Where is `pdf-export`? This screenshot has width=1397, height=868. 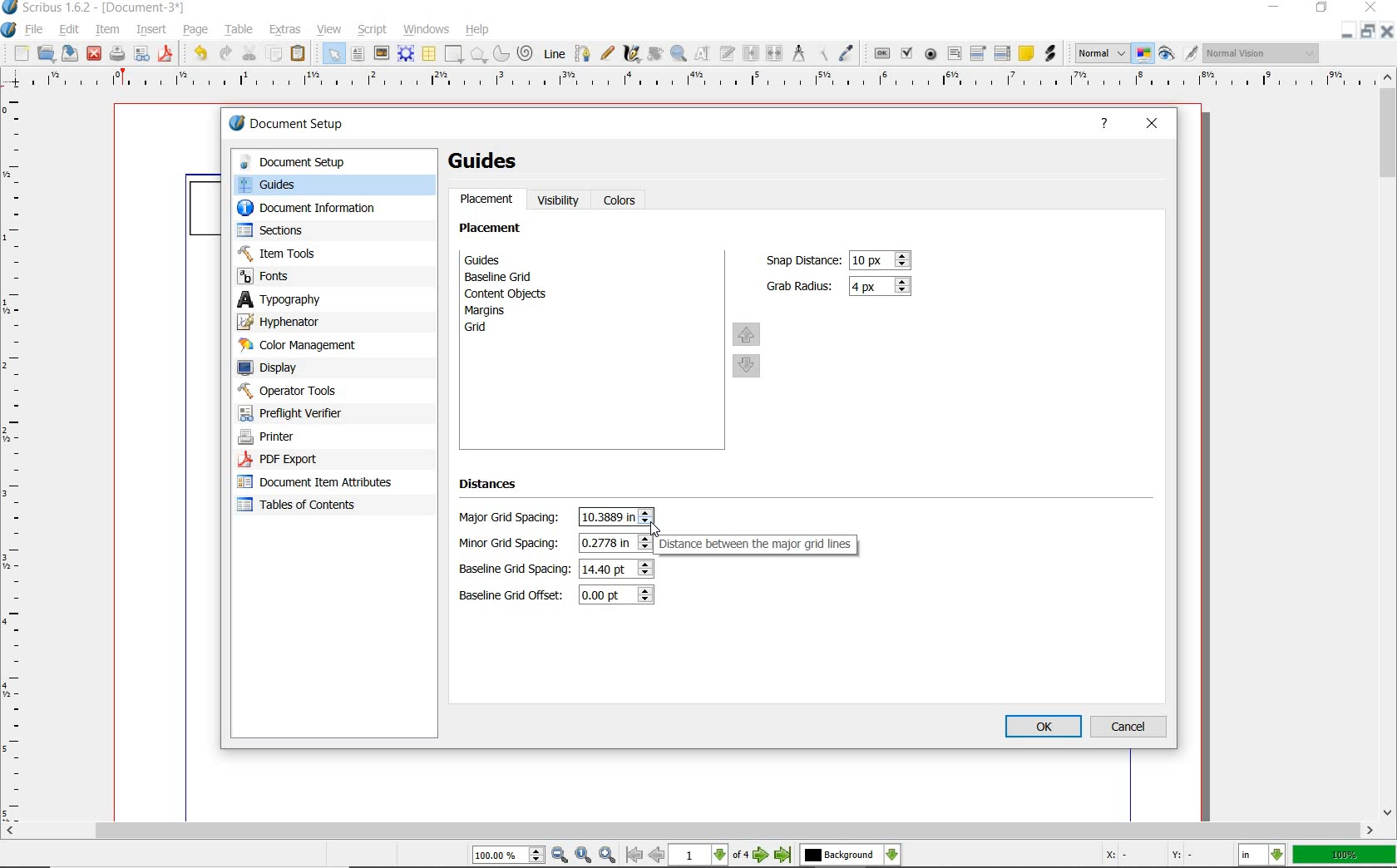 pdf-export is located at coordinates (315, 460).